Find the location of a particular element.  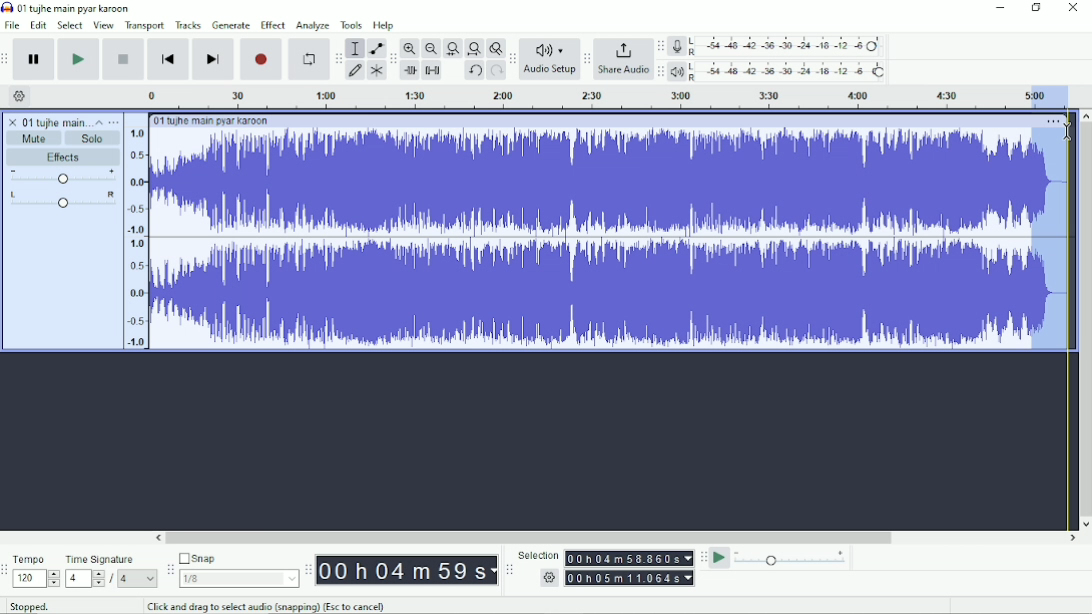

Zoom Out is located at coordinates (431, 48).